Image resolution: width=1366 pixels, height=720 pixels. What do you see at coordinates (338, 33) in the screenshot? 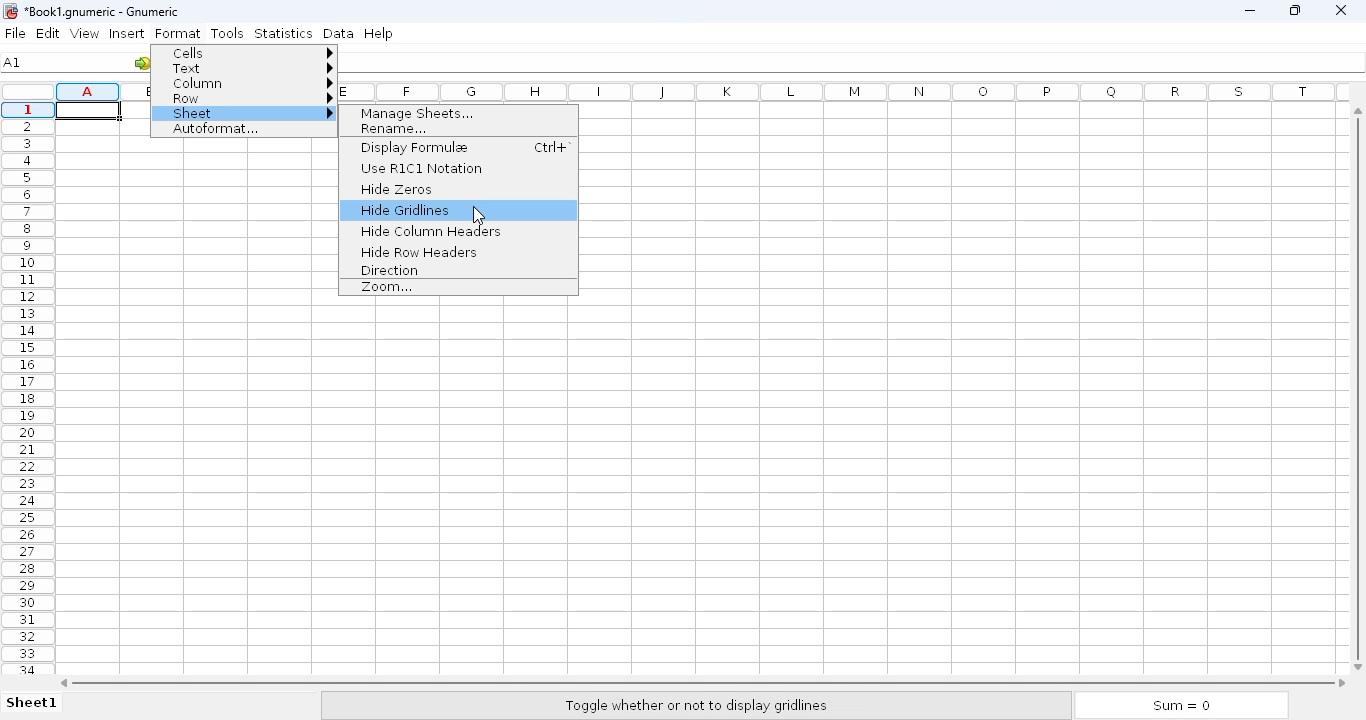
I see `data` at bounding box center [338, 33].